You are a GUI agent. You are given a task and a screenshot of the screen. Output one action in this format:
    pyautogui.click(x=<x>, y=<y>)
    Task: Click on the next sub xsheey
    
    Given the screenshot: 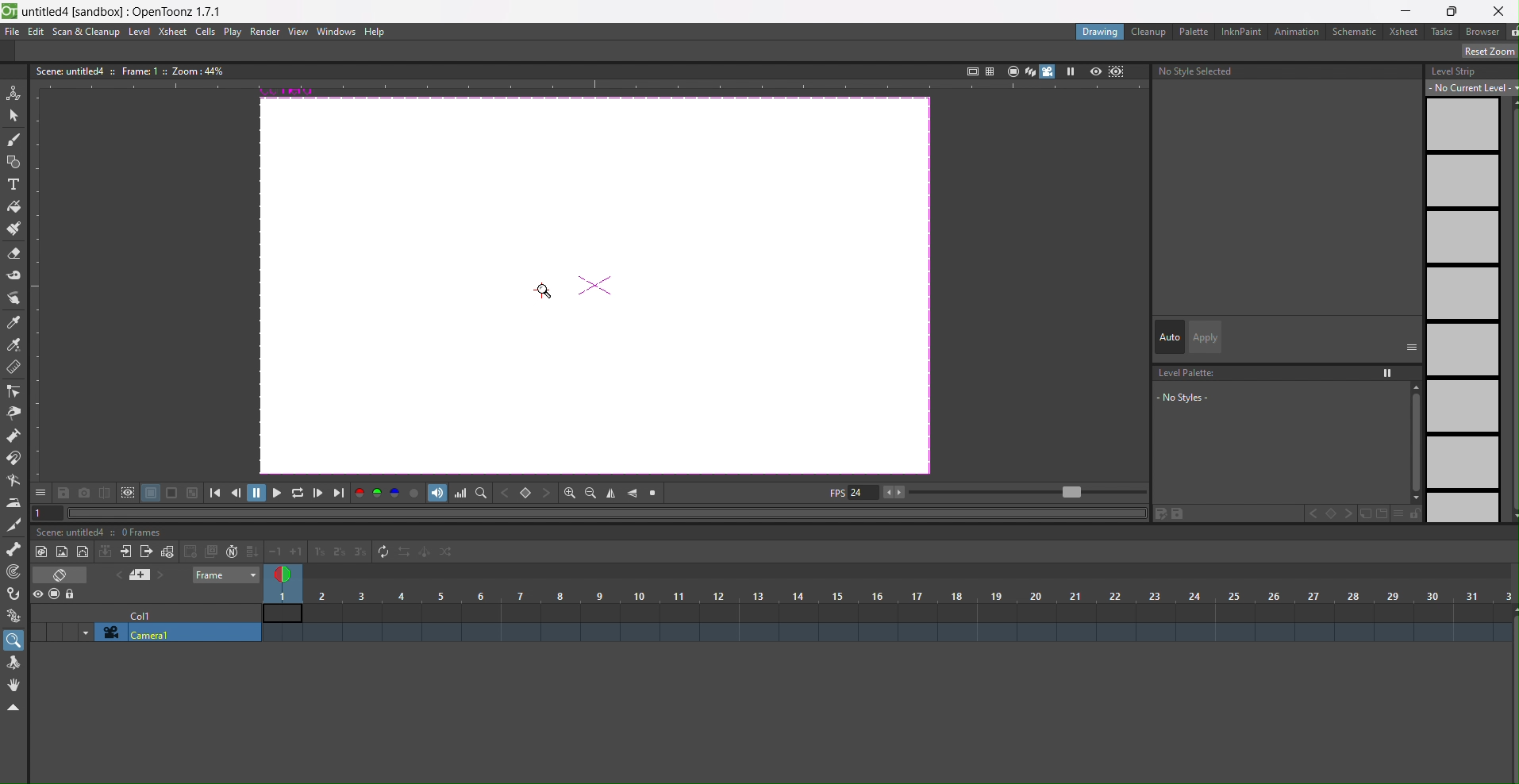 What is the action you would take?
    pyautogui.click(x=147, y=553)
    